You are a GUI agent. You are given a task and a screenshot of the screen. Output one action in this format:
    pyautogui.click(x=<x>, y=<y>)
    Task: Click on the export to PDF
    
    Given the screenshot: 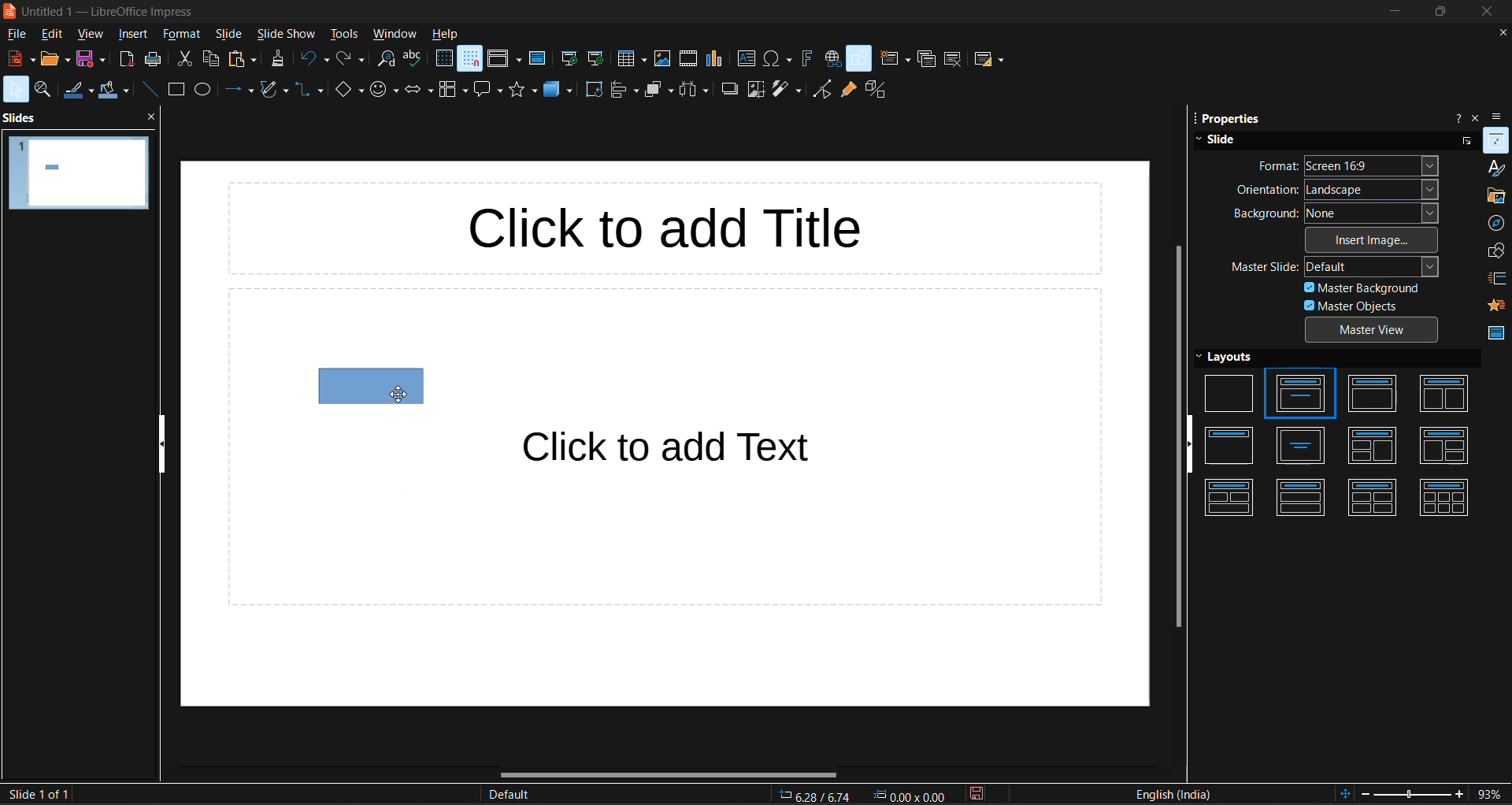 What is the action you would take?
    pyautogui.click(x=127, y=58)
    